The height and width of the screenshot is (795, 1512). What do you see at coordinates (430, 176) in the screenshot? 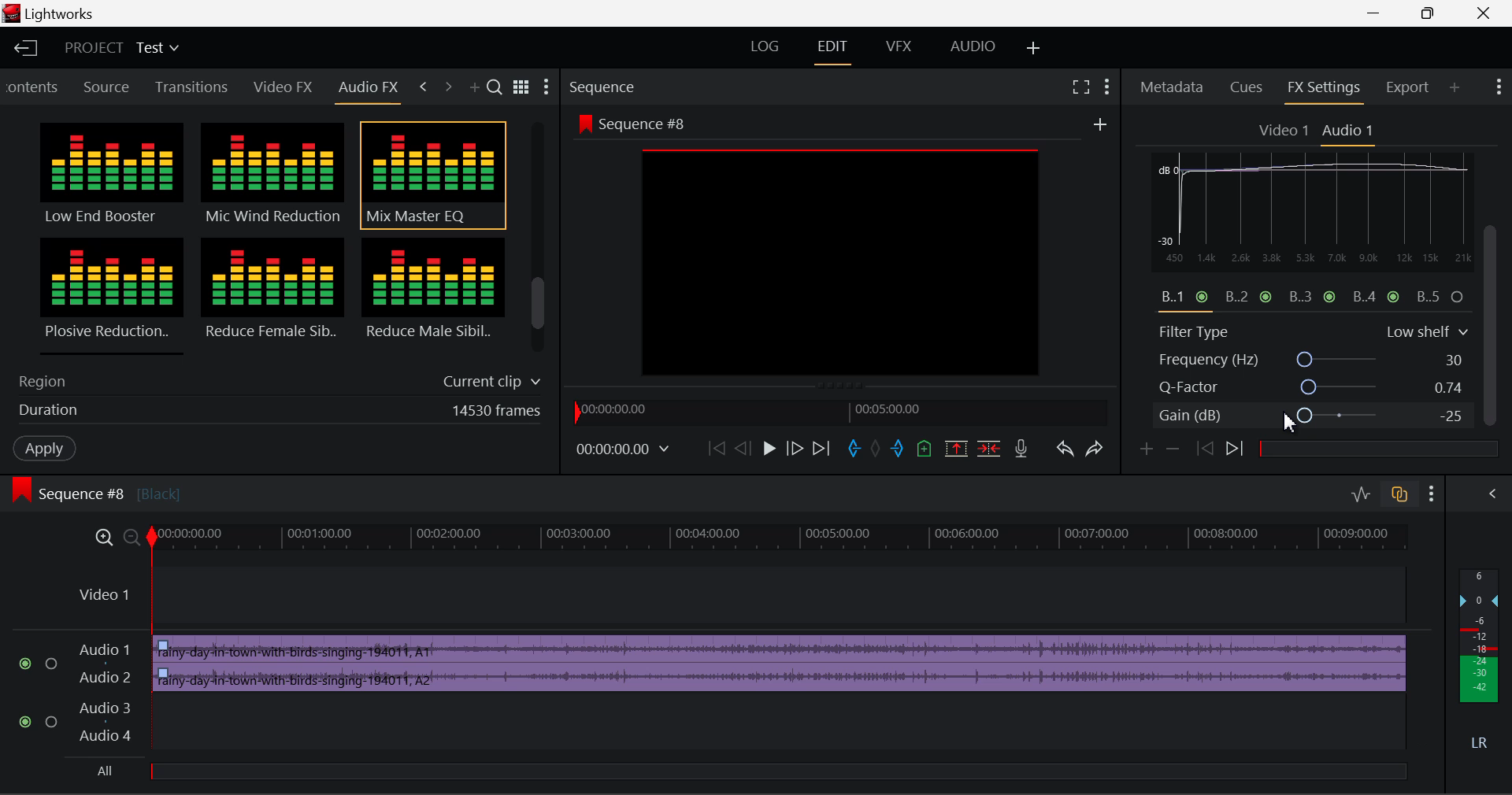
I see `Mix Master EQ` at bounding box center [430, 176].